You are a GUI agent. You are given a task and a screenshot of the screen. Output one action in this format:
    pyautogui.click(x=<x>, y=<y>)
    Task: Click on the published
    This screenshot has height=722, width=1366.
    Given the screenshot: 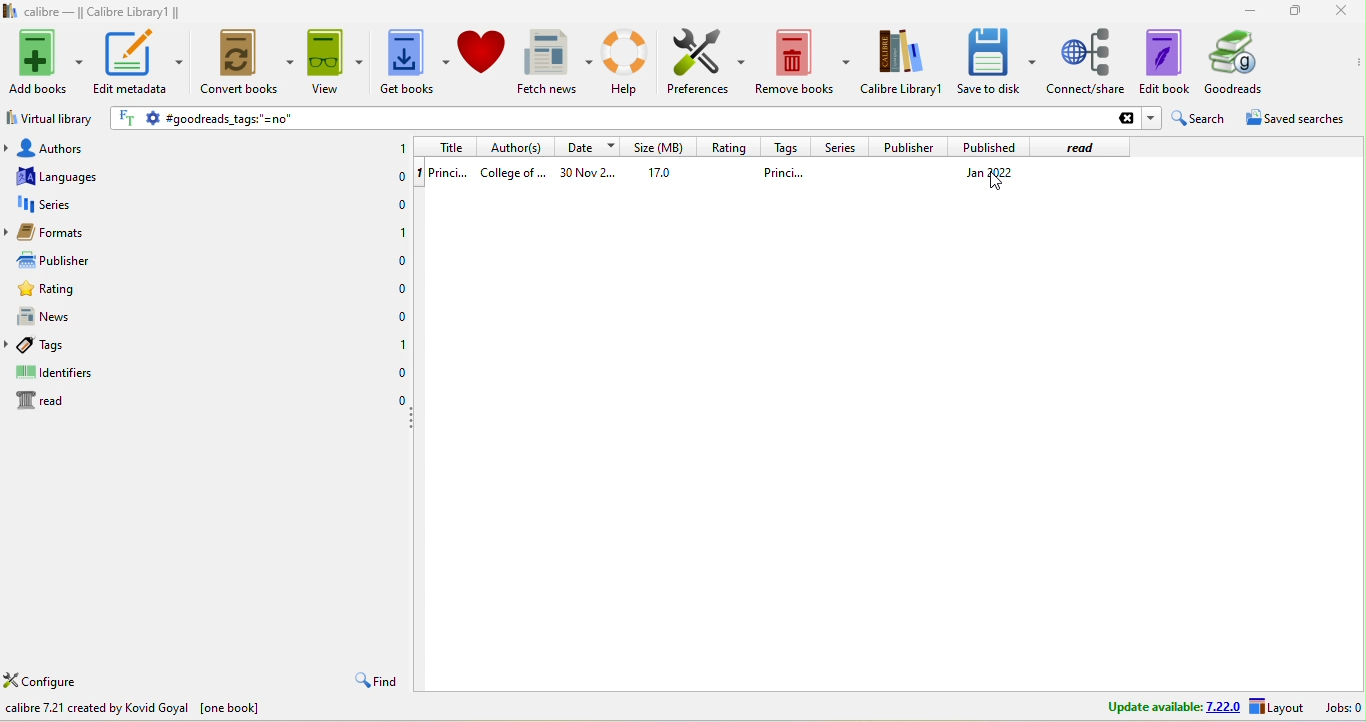 What is the action you would take?
    pyautogui.click(x=988, y=146)
    